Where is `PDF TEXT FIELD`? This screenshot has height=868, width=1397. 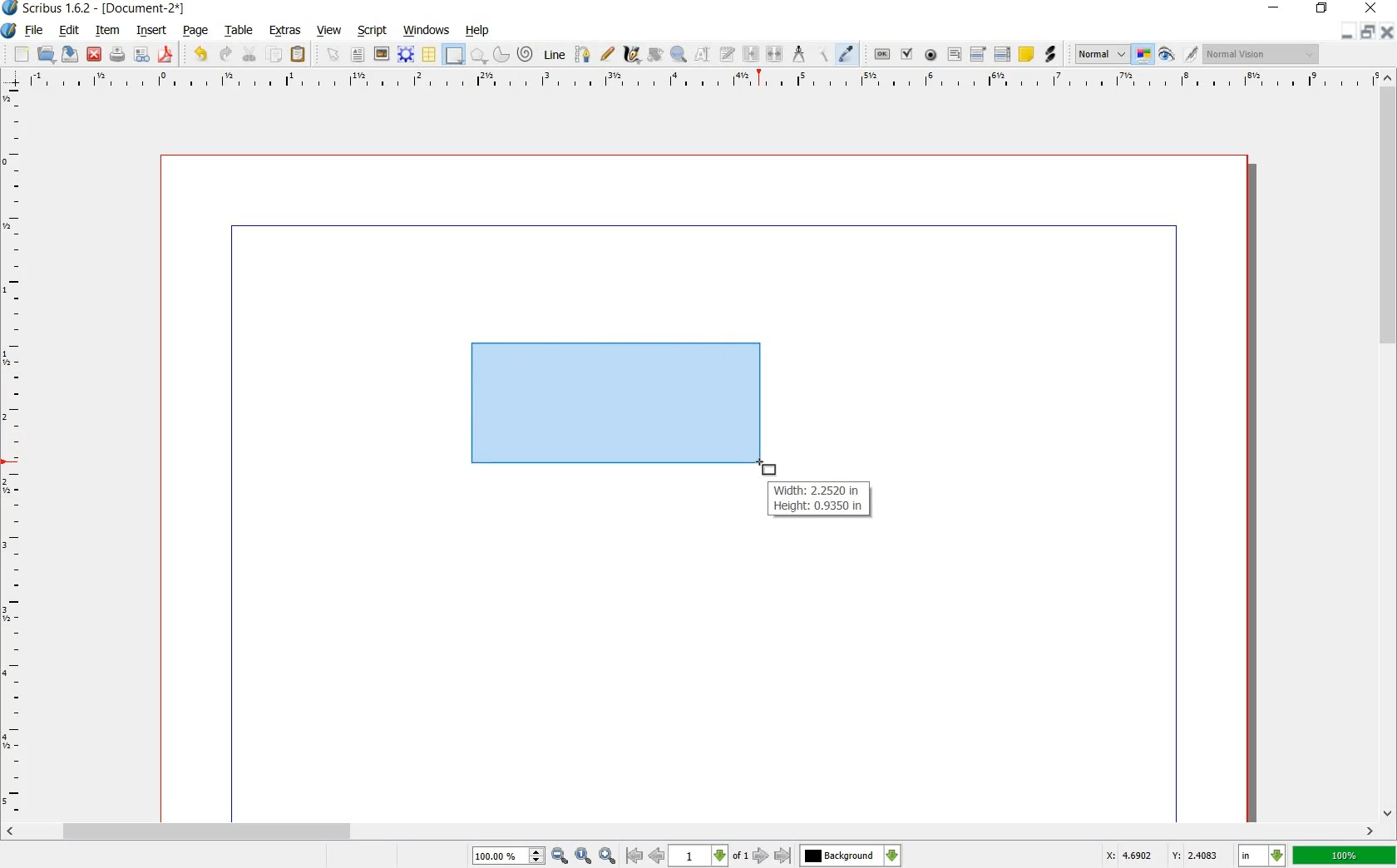 PDF TEXT FIELD is located at coordinates (954, 55).